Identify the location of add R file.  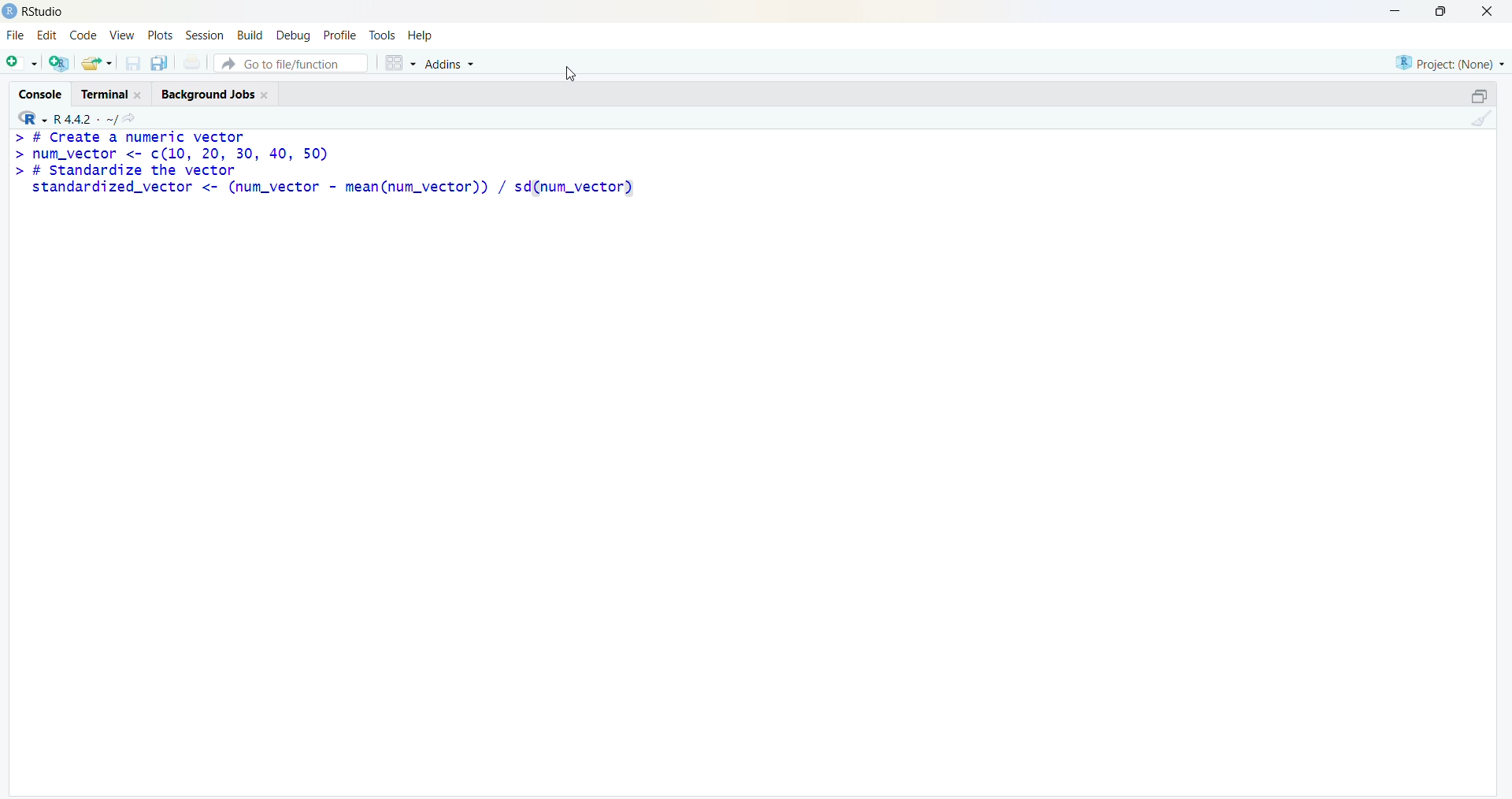
(60, 64).